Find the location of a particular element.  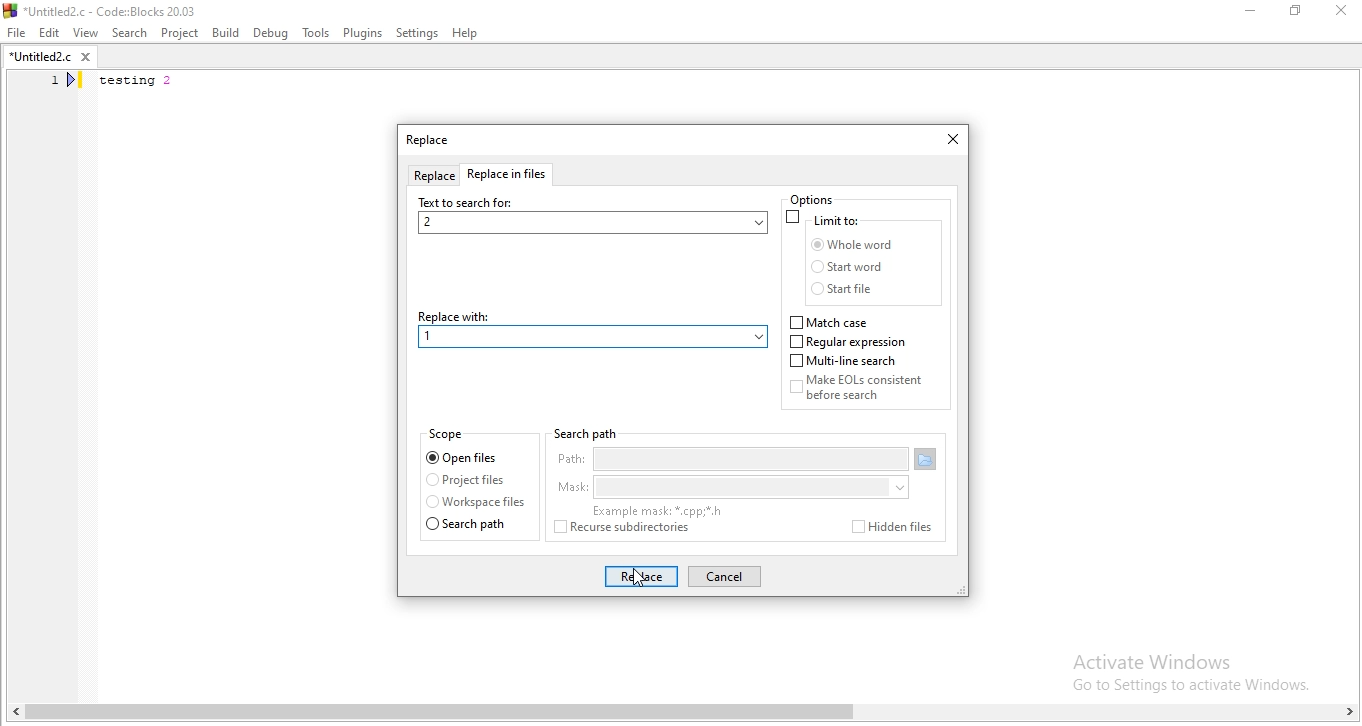

*untitled2.c is located at coordinates (49, 59).